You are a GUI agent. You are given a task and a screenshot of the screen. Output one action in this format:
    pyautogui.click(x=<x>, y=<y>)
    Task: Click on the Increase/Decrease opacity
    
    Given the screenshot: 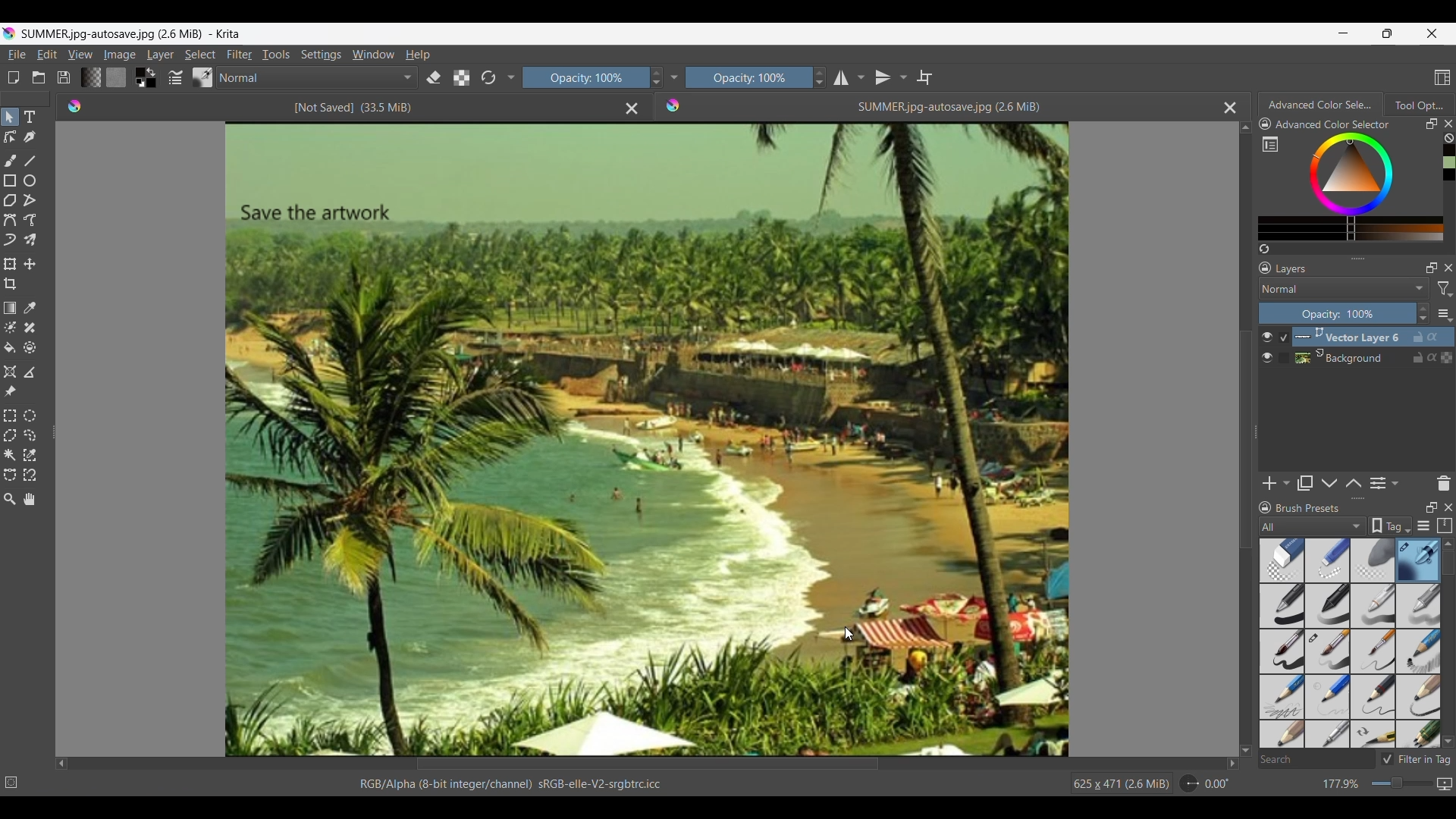 What is the action you would take?
    pyautogui.click(x=819, y=77)
    